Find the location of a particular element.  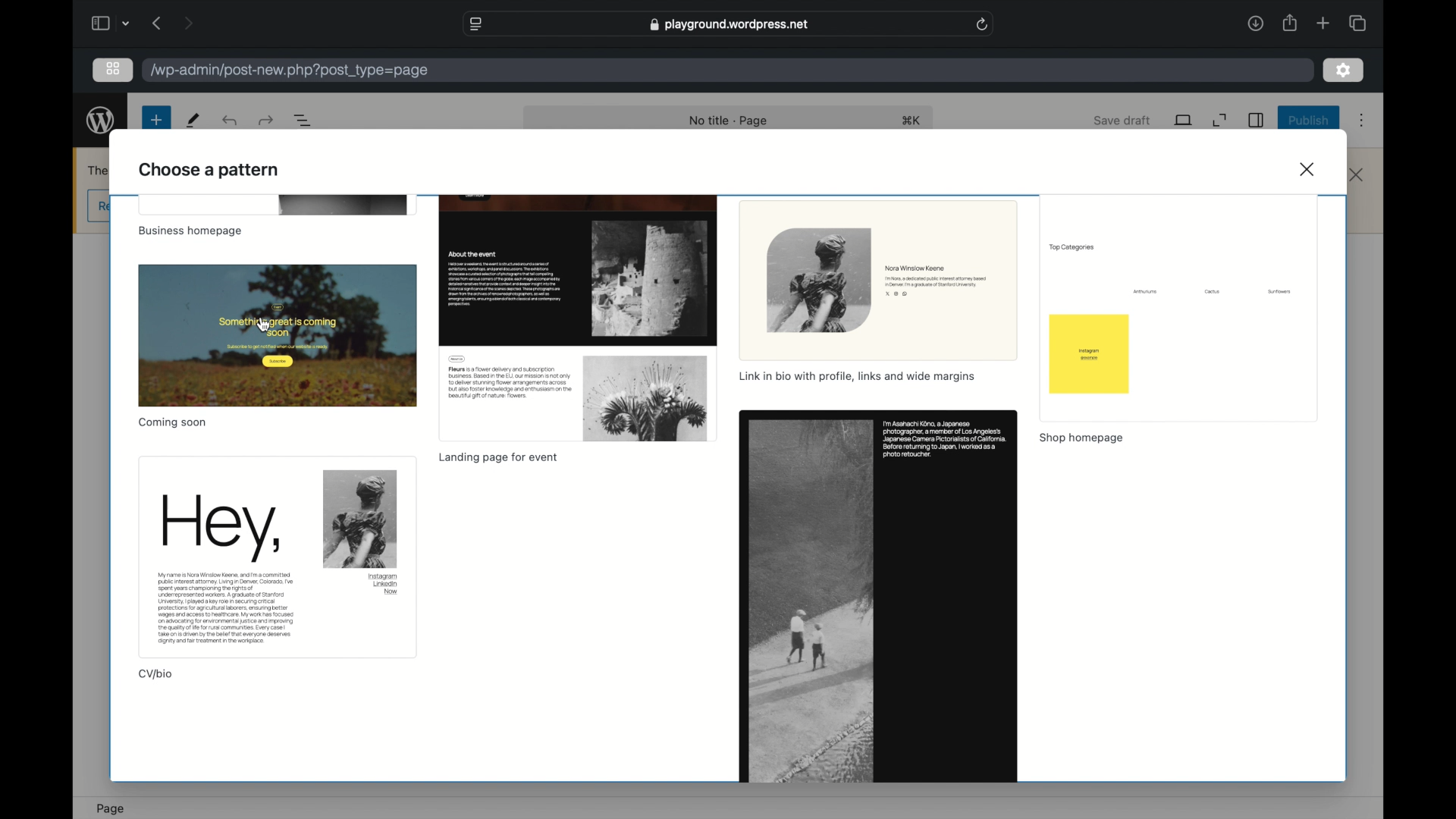

link in bio with profile, links and wide margins is located at coordinates (860, 376).